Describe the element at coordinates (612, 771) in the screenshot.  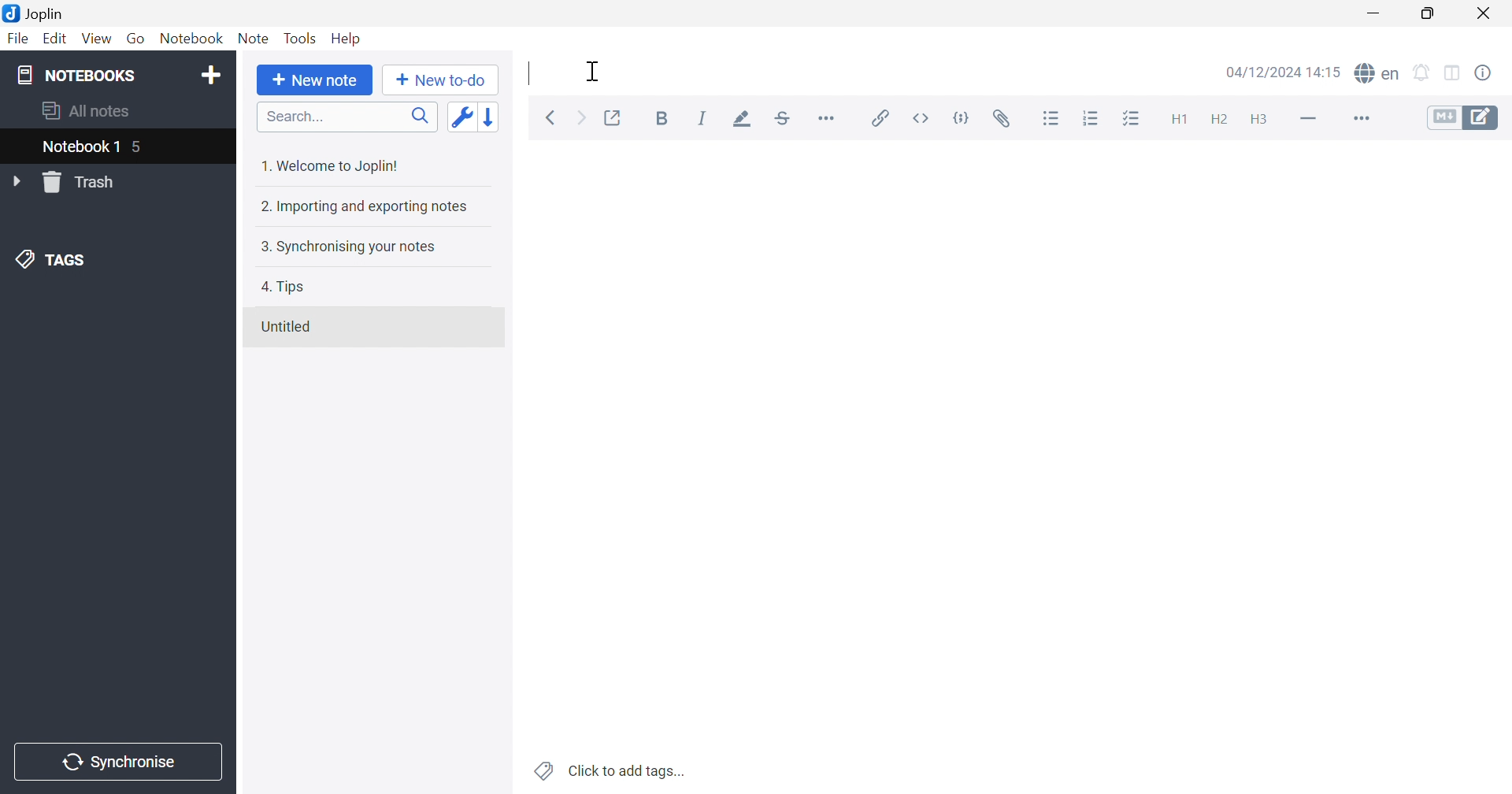
I see `Click to add tags...` at that location.